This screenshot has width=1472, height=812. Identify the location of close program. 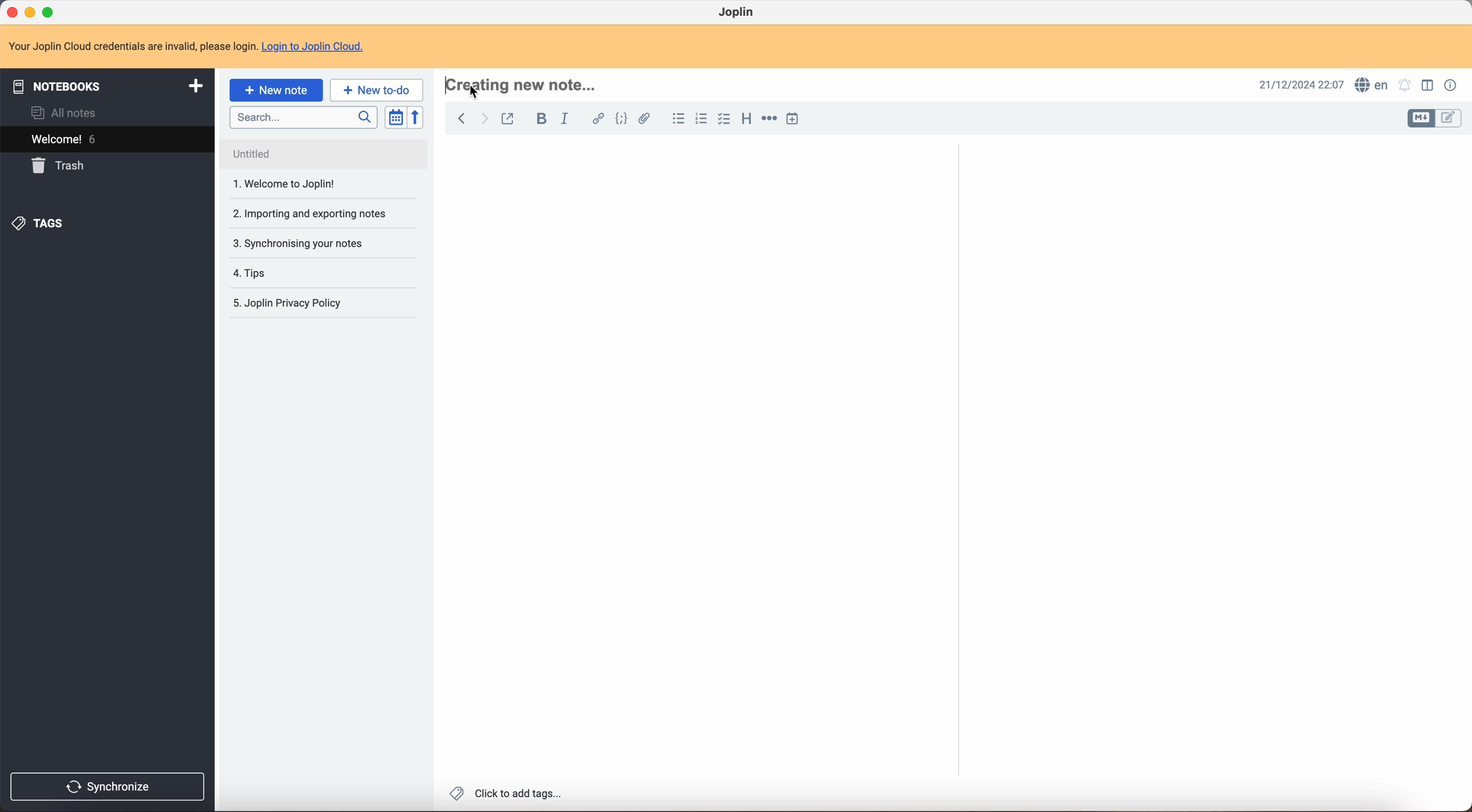
(11, 13).